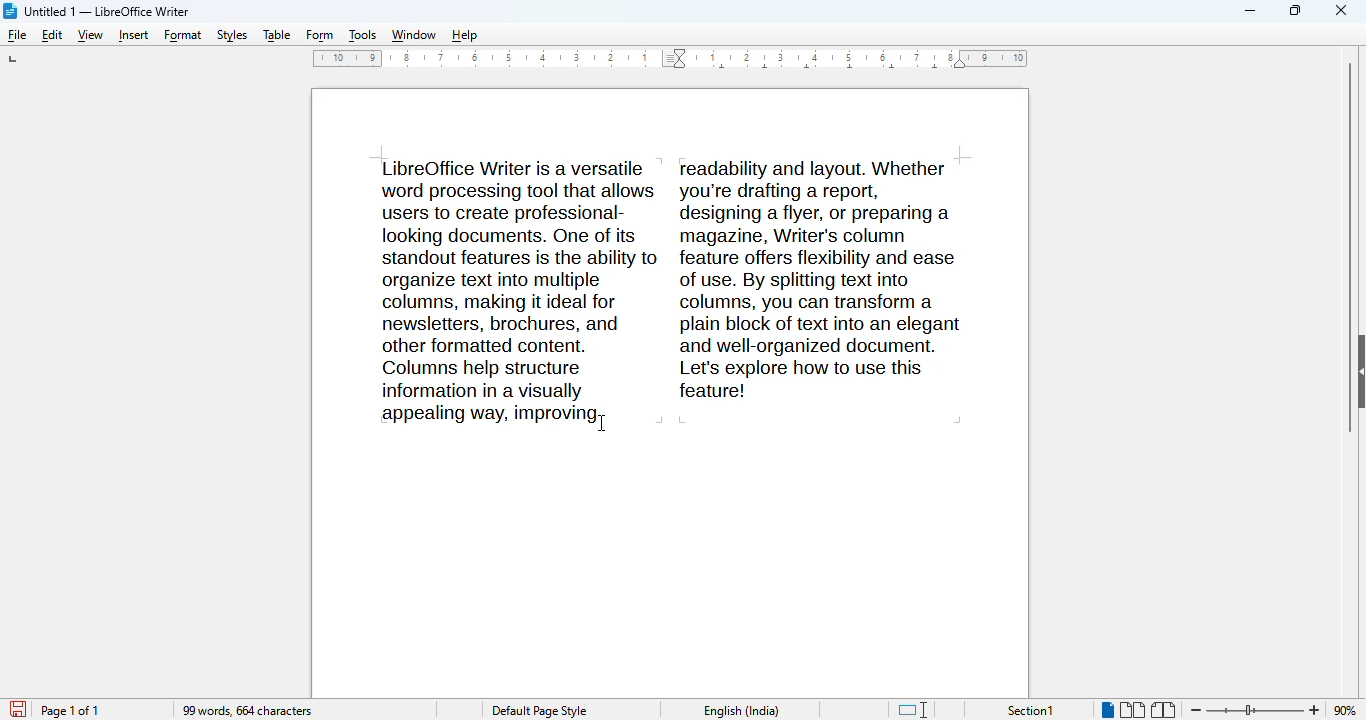 This screenshot has width=1366, height=720. I want to click on center tab, so click(721, 67).